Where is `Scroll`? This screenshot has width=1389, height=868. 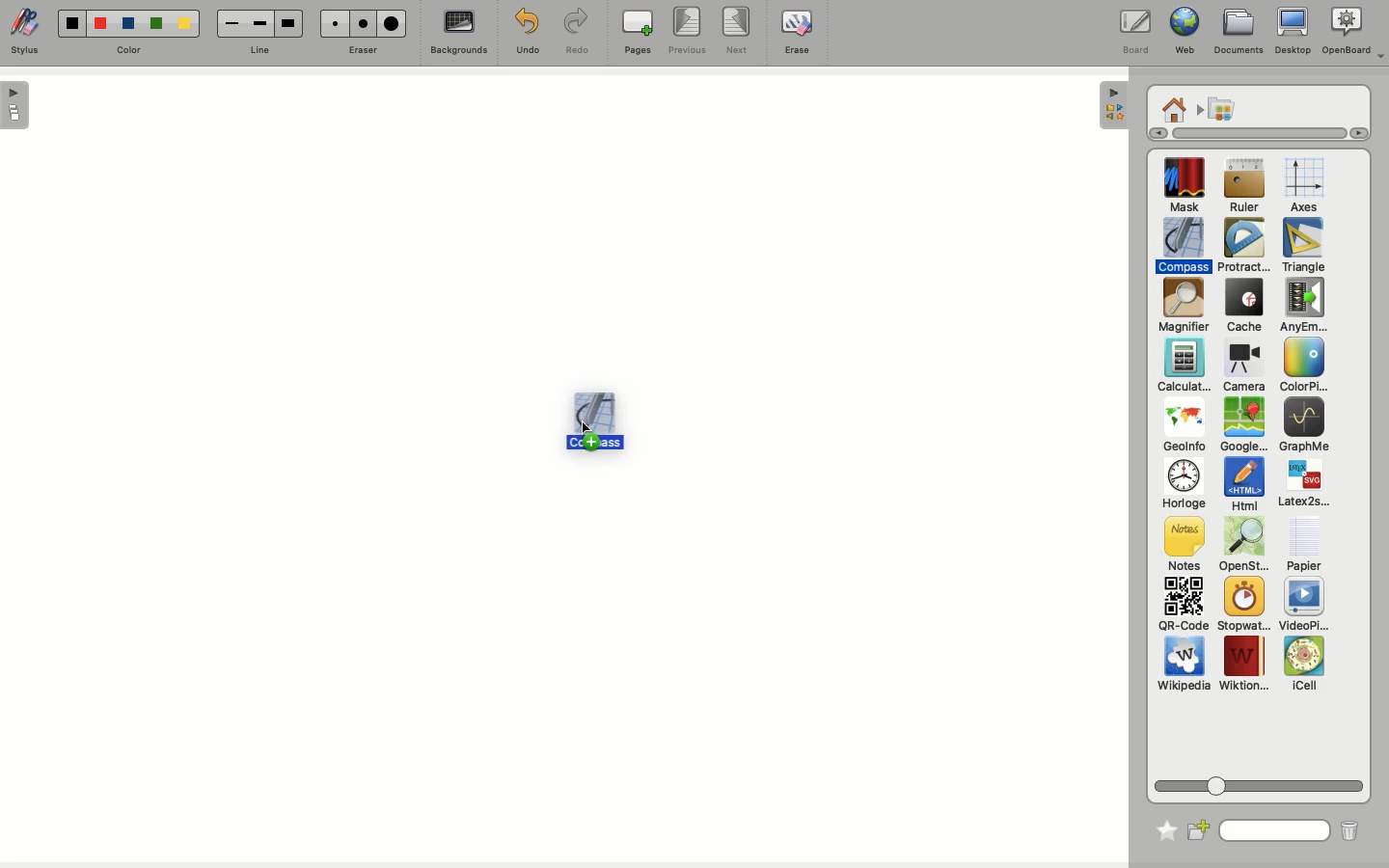
Scroll is located at coordinates (1262, 782).